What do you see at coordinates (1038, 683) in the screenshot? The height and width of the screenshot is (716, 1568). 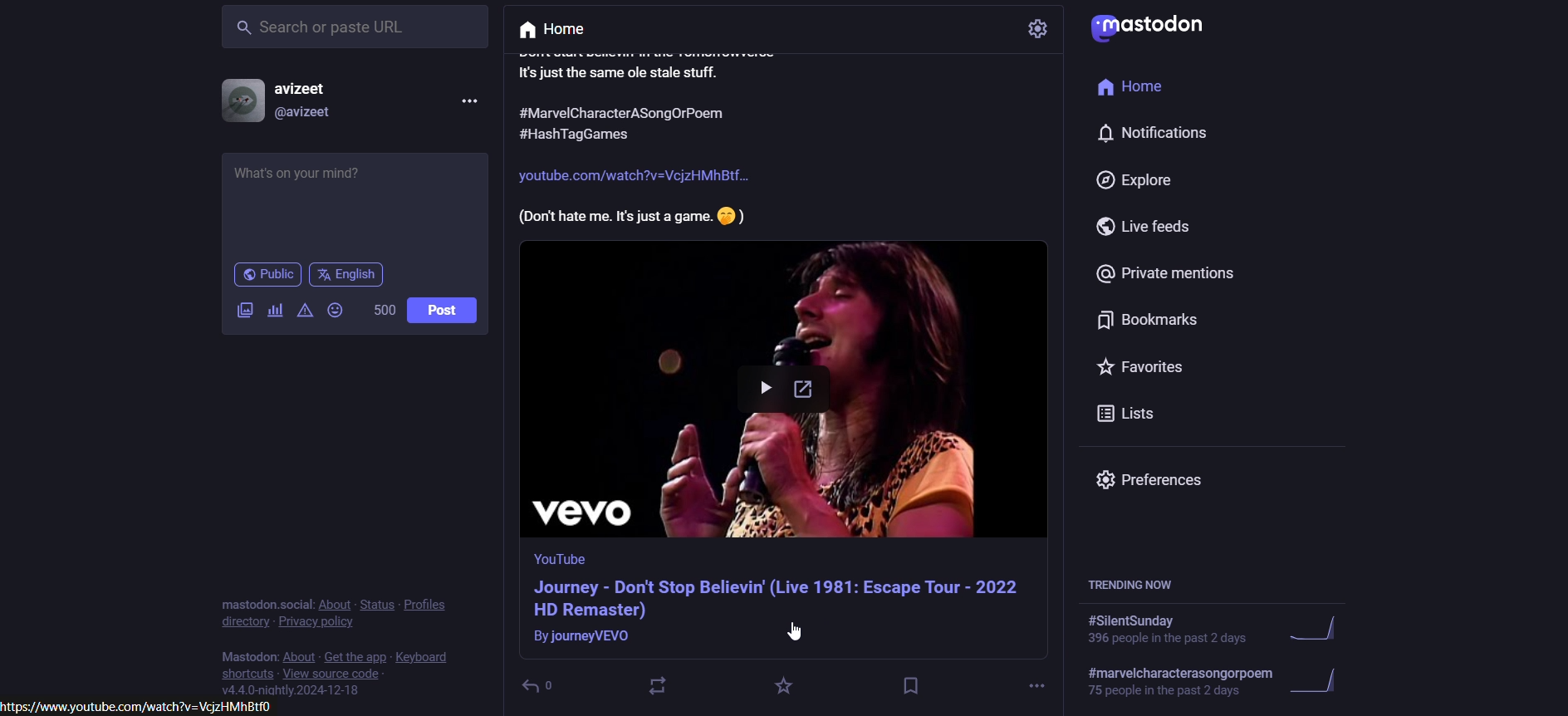 I see `more` at bounding box center [1038, 683].